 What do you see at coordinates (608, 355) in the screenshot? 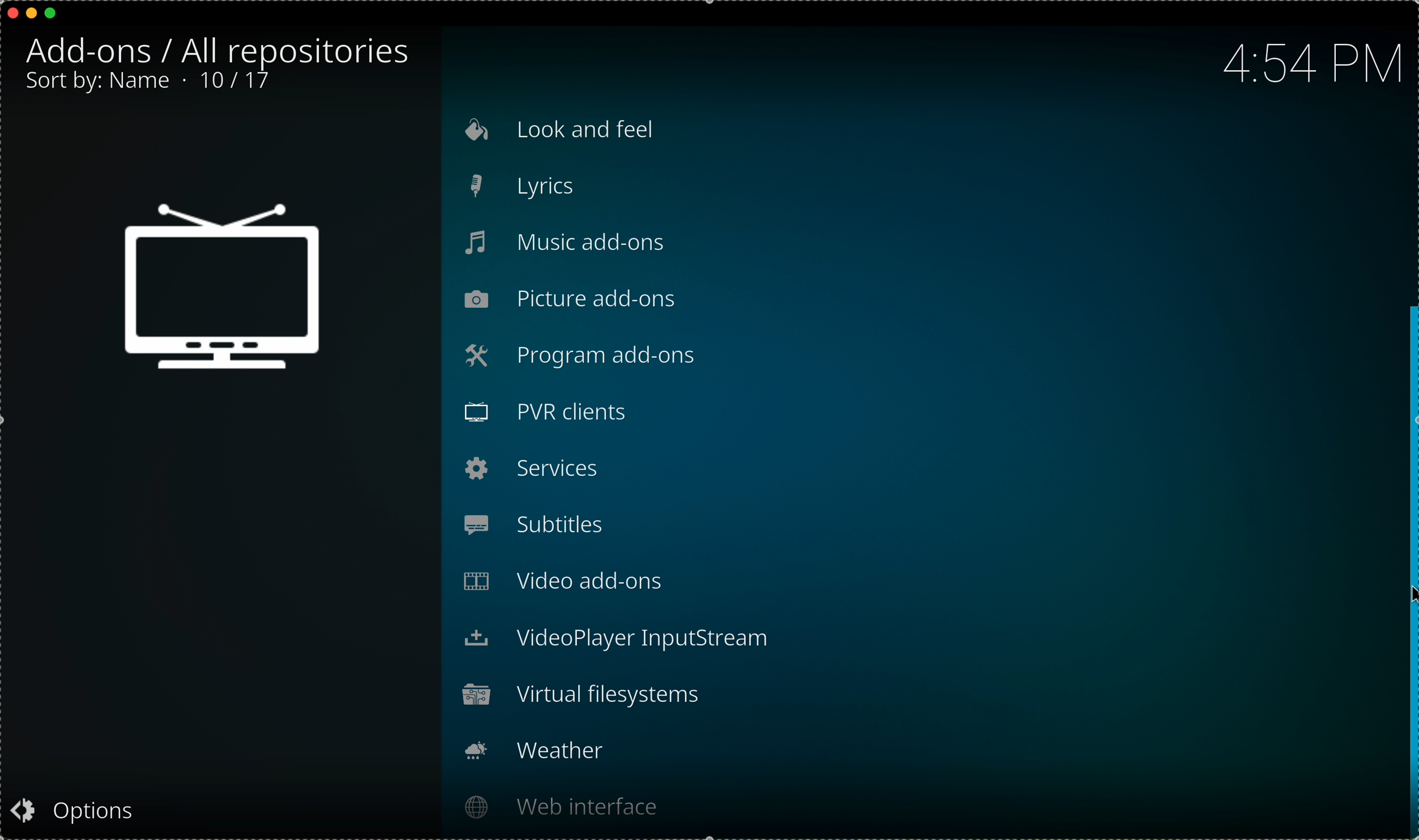
I see `program add-ons` at bounding box center [608, 355].